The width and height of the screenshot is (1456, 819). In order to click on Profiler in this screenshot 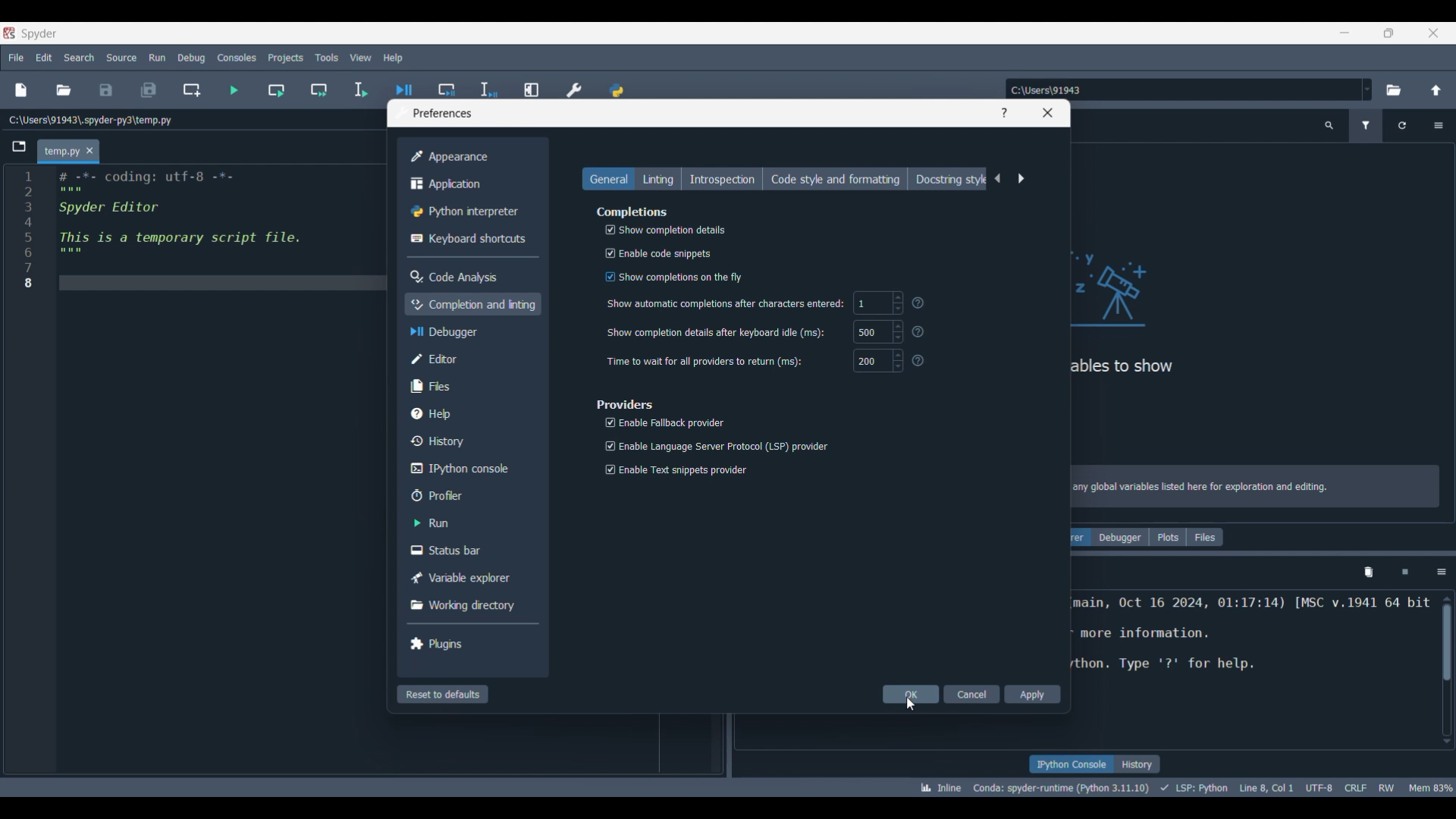, I will do `click(470, 495)`.